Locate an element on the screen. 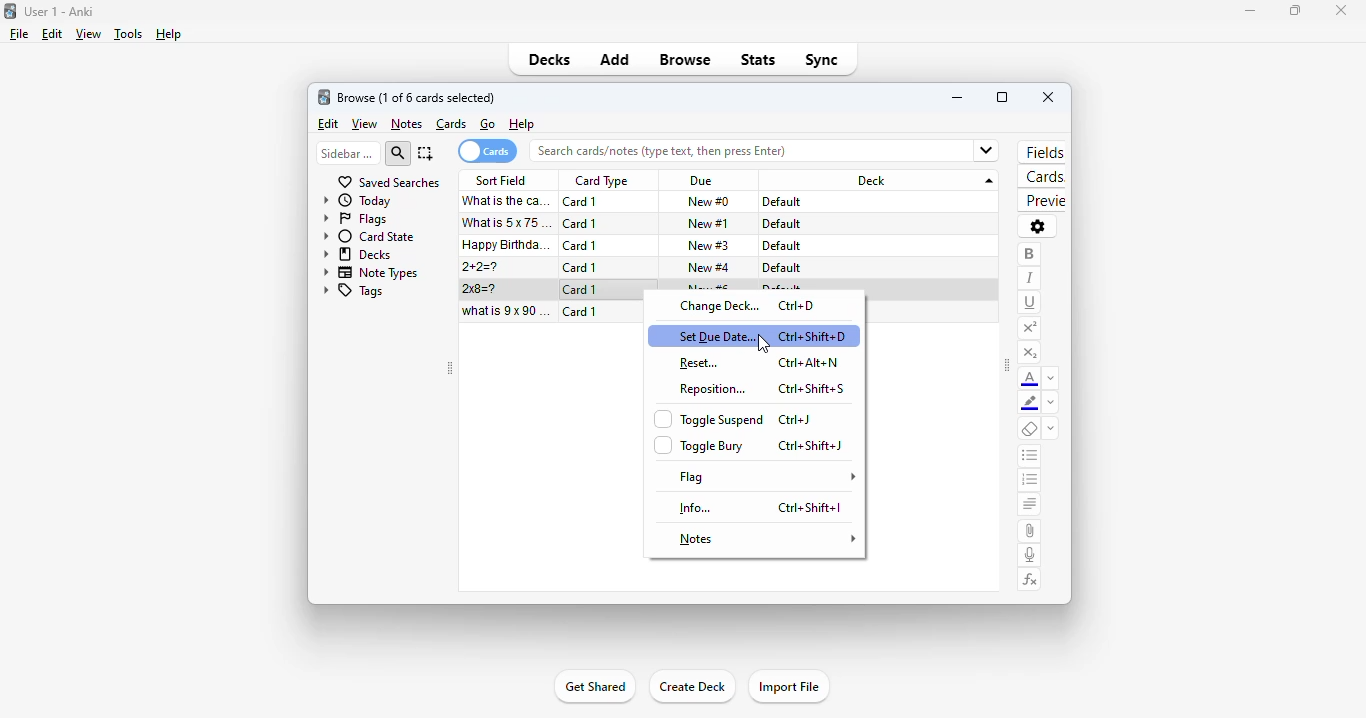  info is located at coordinates (696, 508).